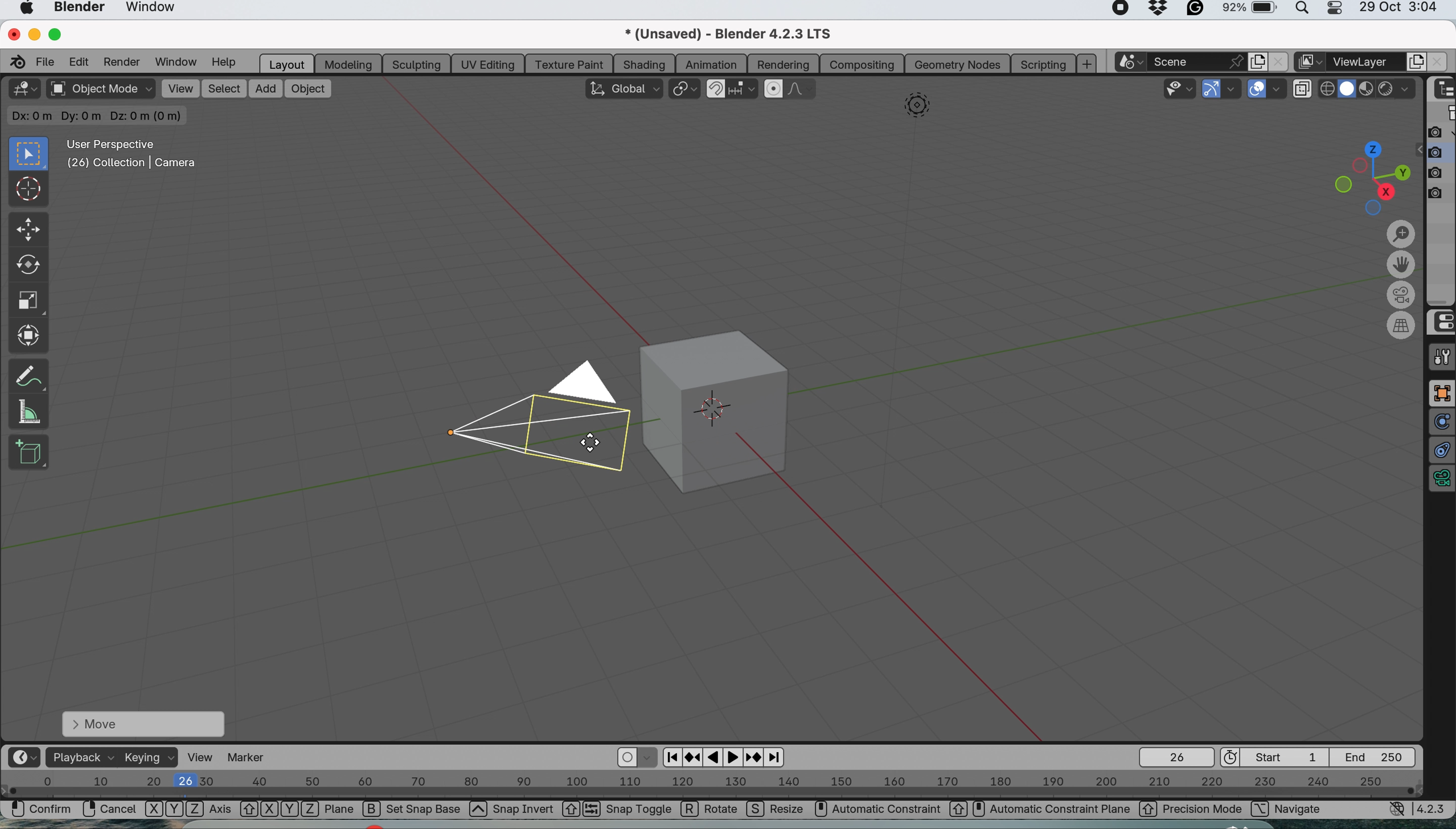 Image resolution: width=1456 pixels, height=829 pixels. Describe the element at coordinates (1277, 757) in the screenshot. I see `first frame` at that location.